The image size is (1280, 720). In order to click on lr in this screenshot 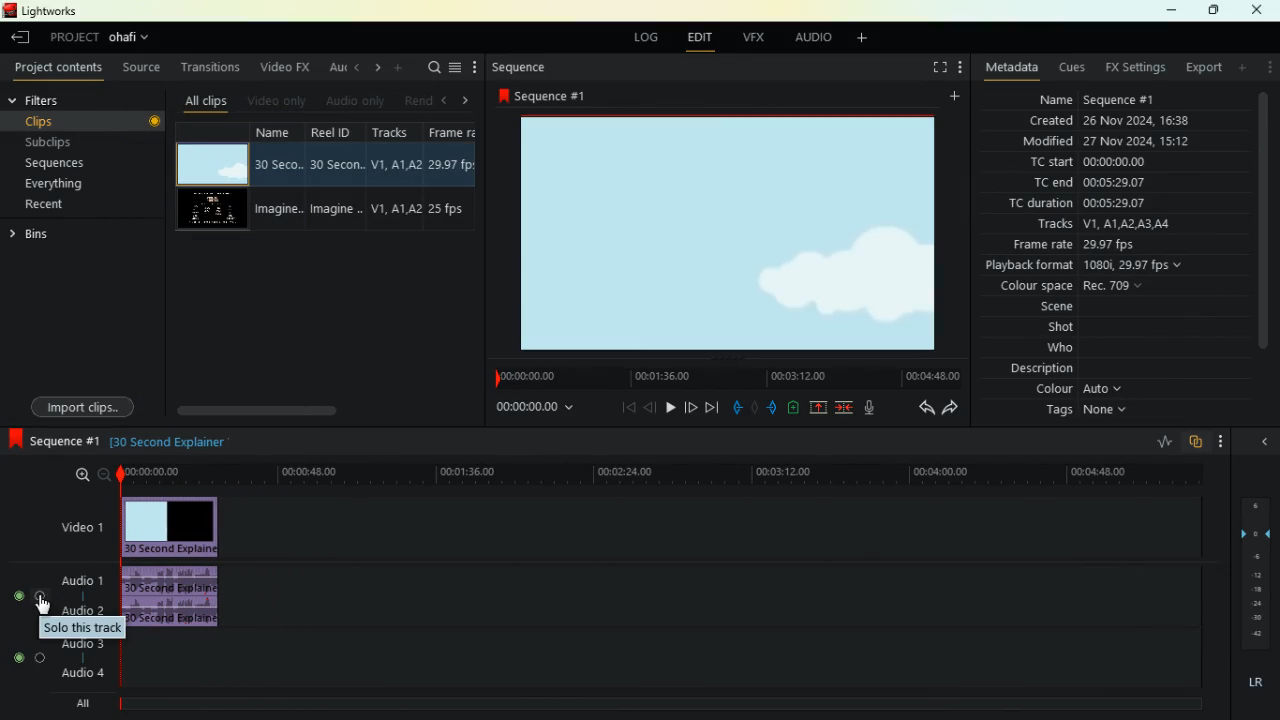, I will do `click(1248, 684)`.